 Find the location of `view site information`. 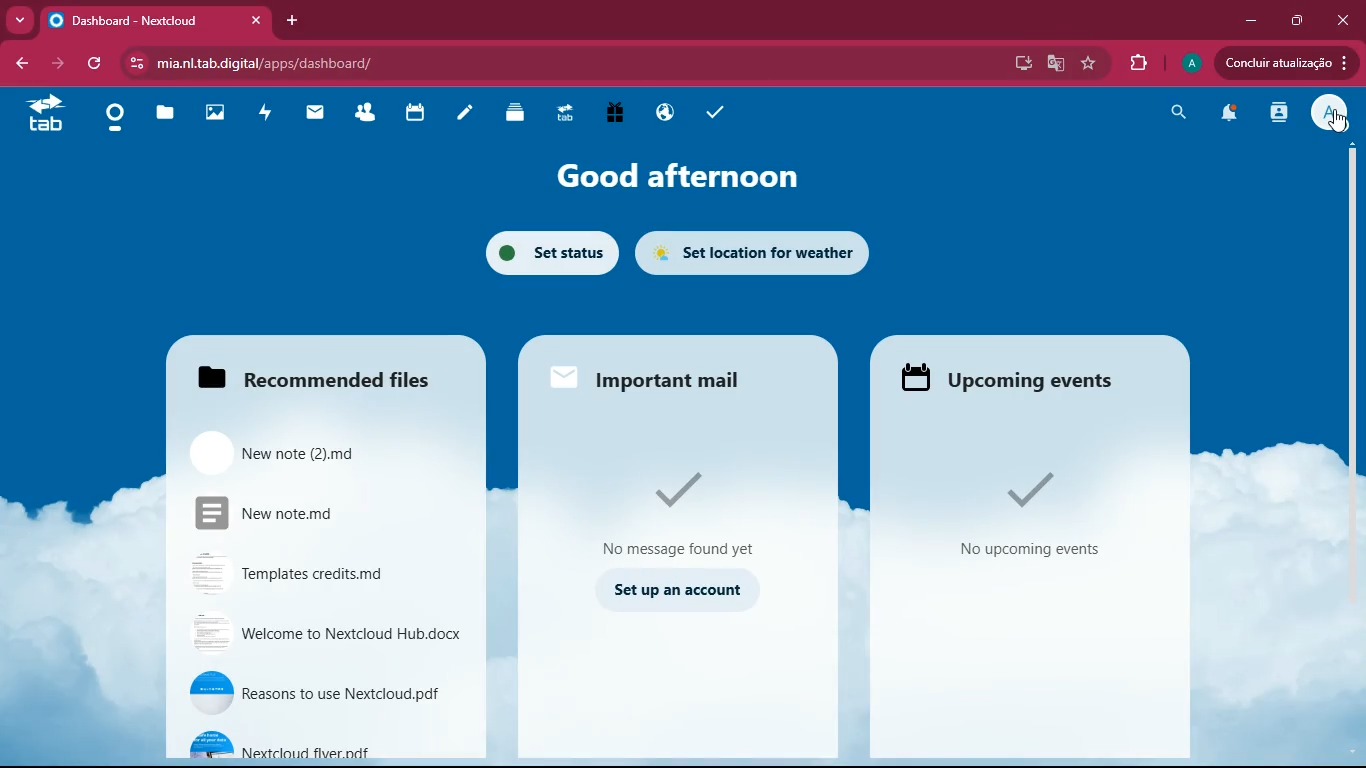

view site information is located at coordinates (136, 64).